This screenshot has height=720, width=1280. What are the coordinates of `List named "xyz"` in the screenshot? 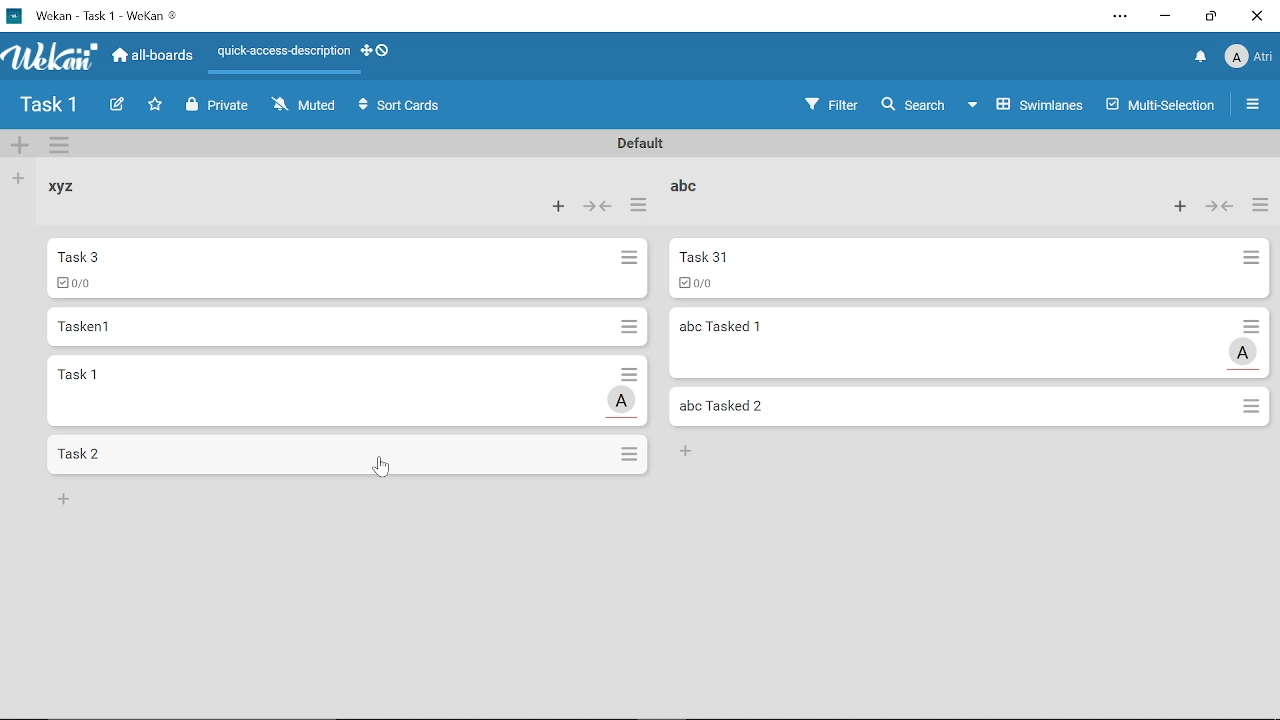 It's located at (75, 194).